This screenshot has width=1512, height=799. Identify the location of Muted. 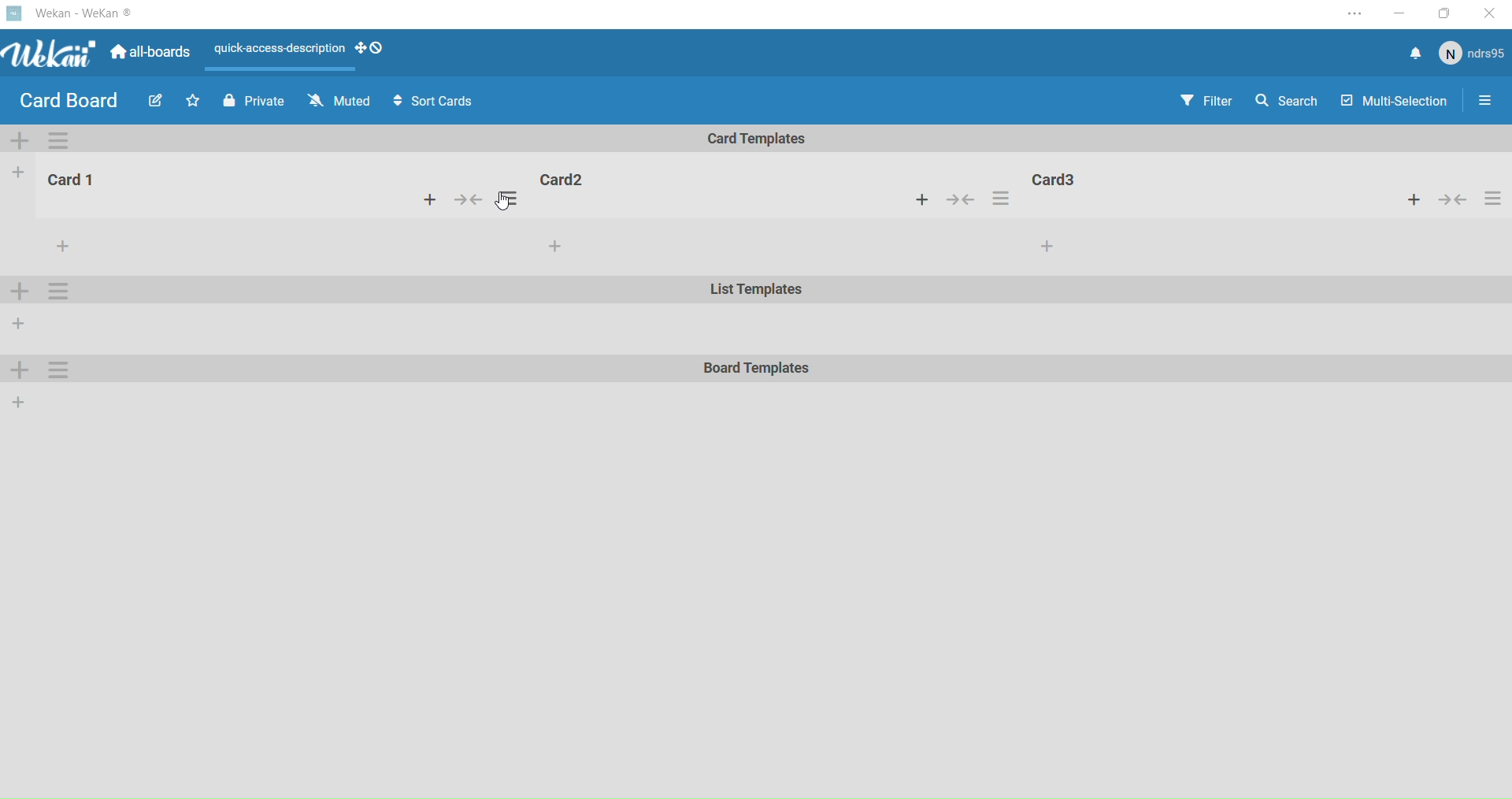
(341, 101).